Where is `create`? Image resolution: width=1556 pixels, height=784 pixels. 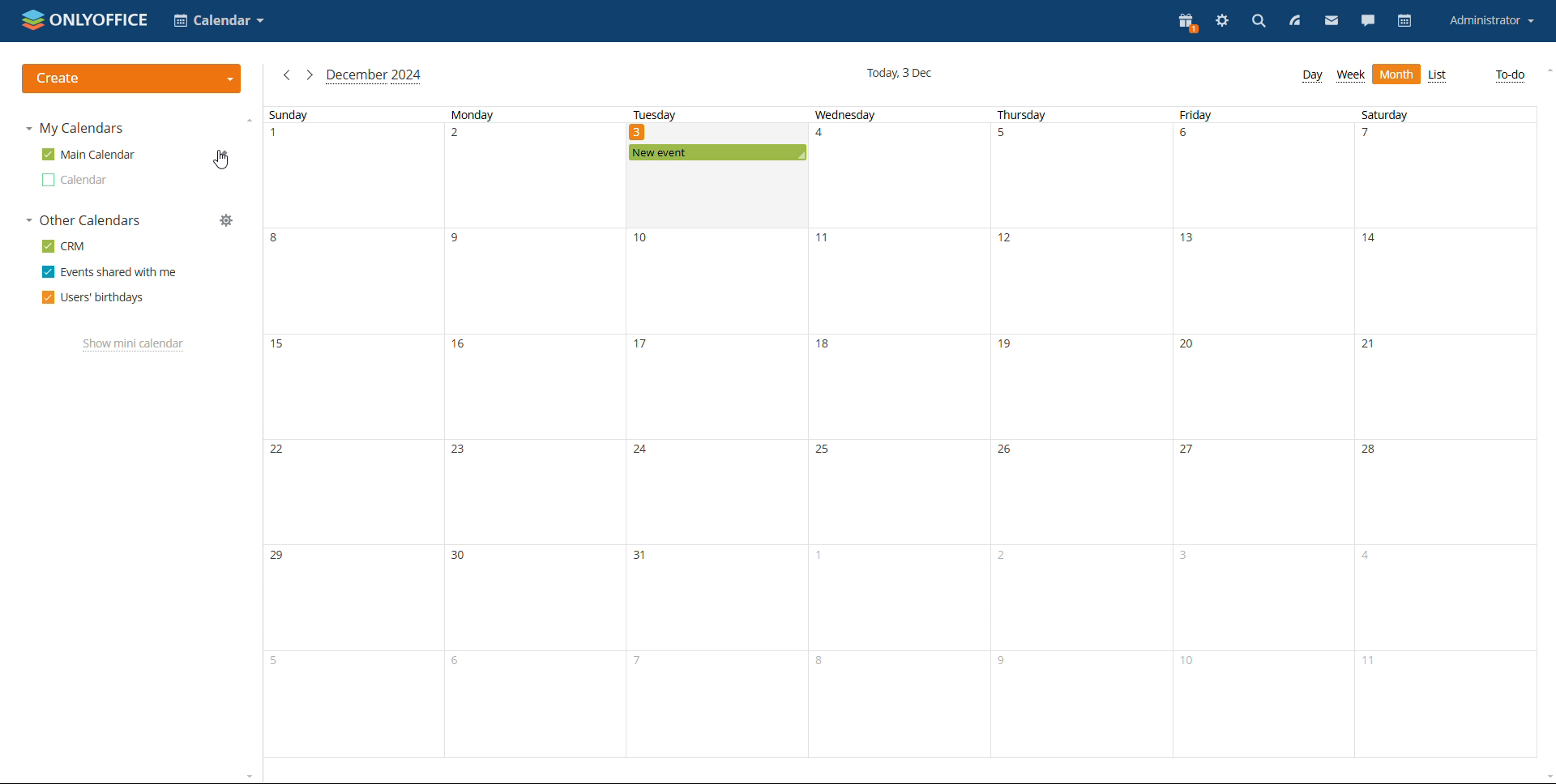 create is located at coordinates (129, 77).